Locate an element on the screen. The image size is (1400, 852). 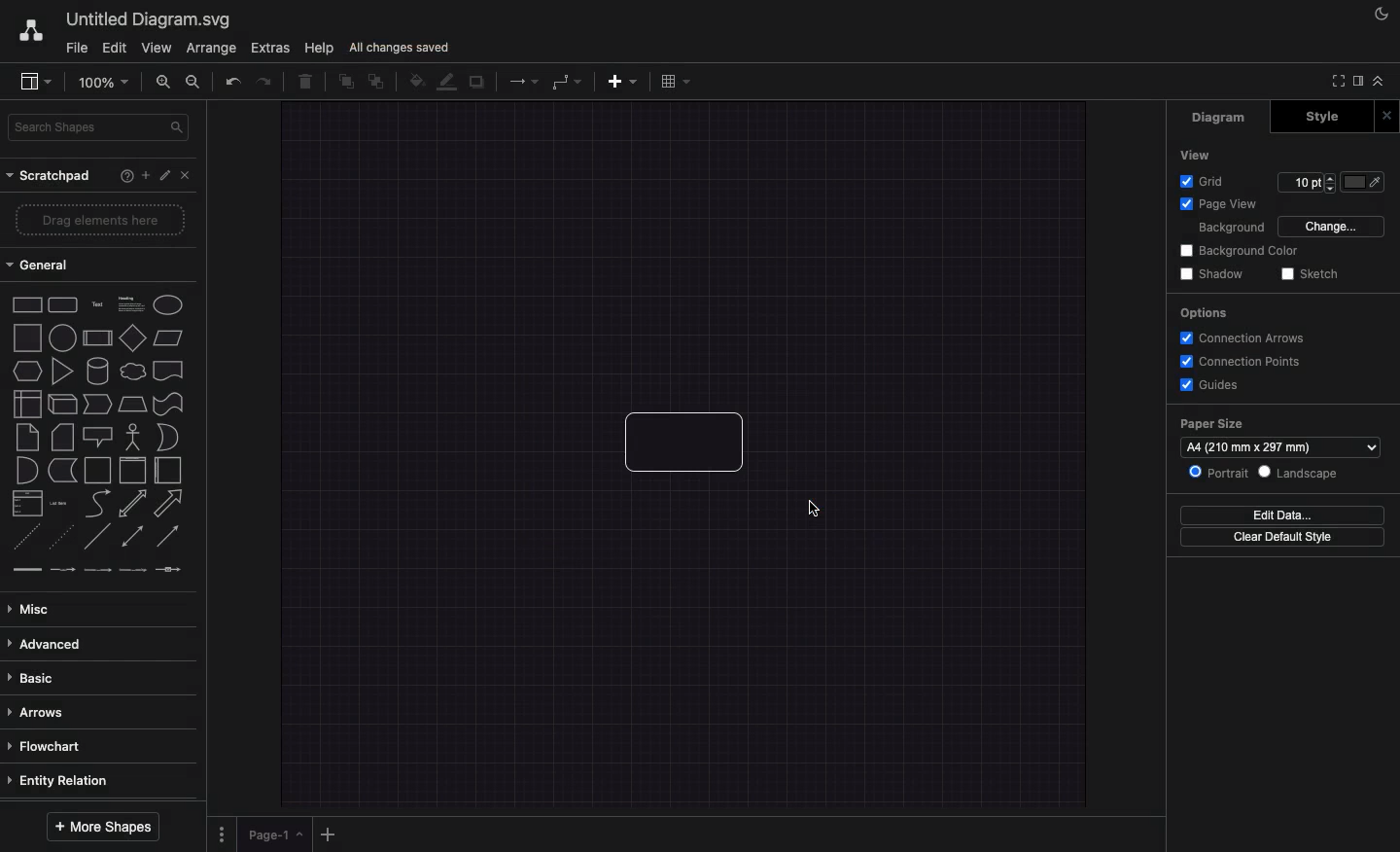
Background is located at coordinates (1231, 229).